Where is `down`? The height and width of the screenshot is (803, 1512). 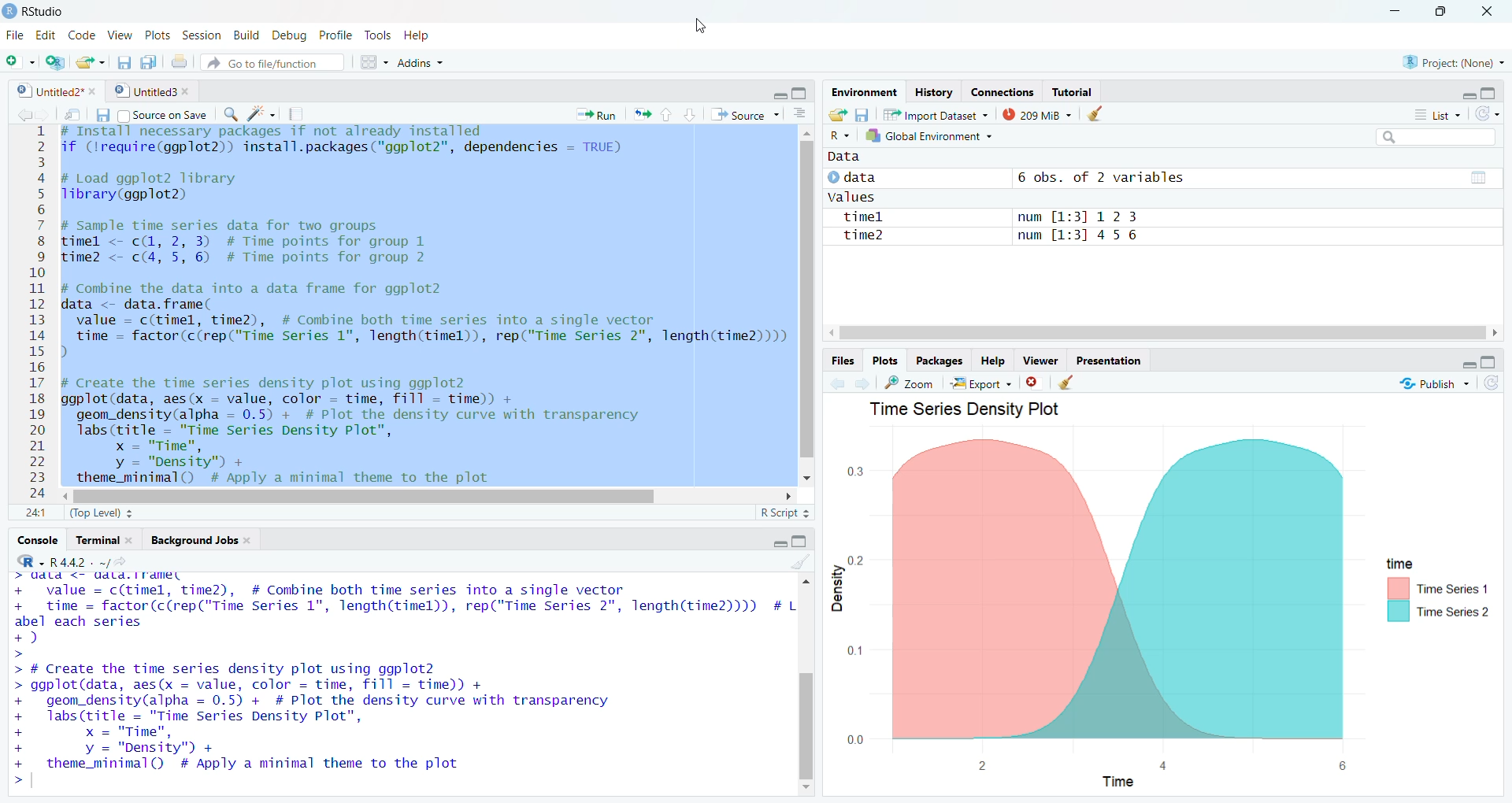
down is located at coordinates (690, 115).